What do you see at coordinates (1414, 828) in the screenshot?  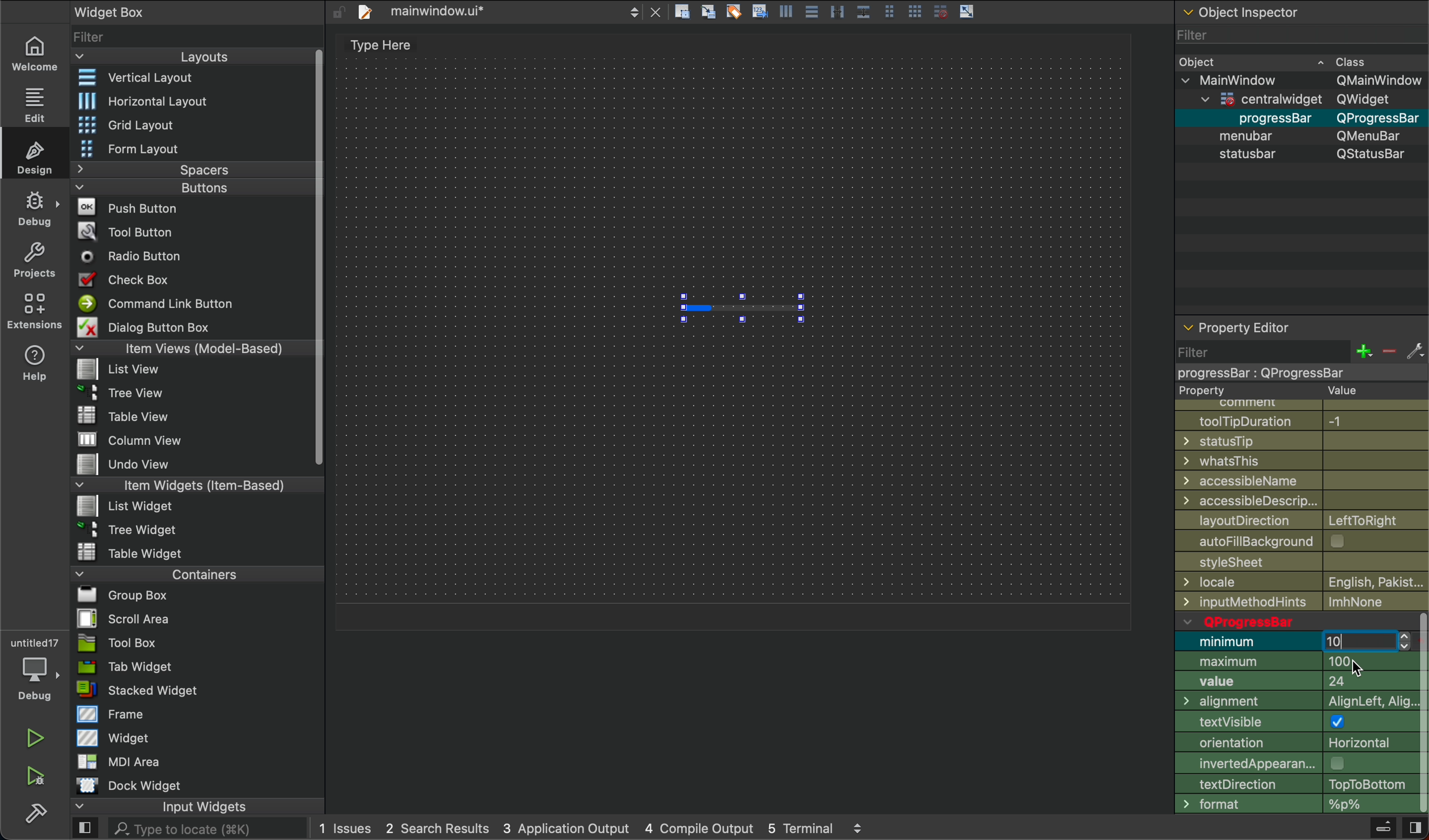 I see `close sidebar` at bounding box center [1414, 828].